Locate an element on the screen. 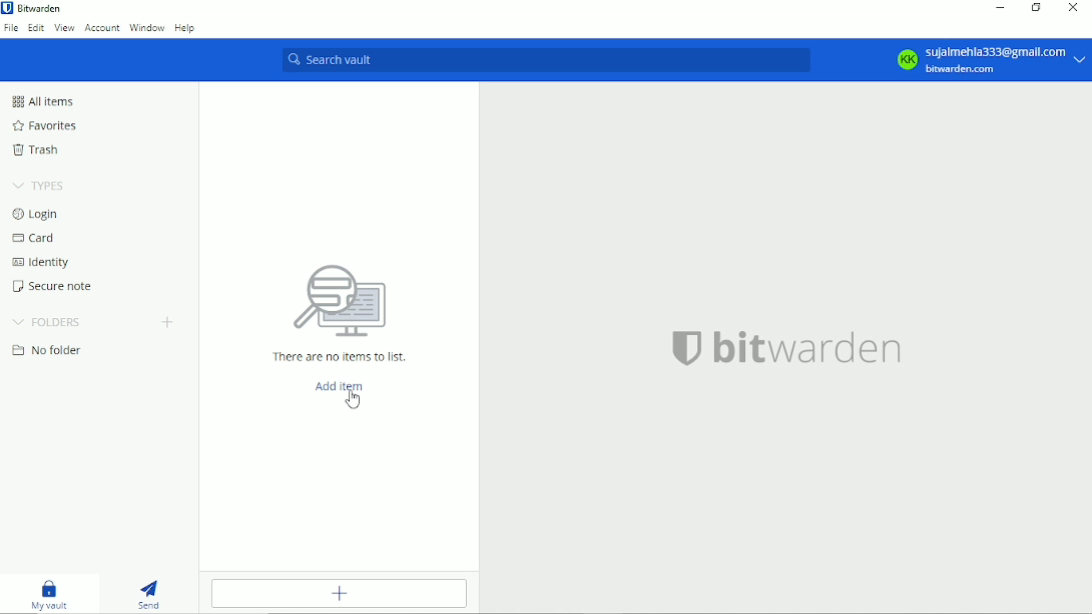 Image resolution: width=1092 pixels, height=614 pixels. Minimize is located at coordinates (998, 9).